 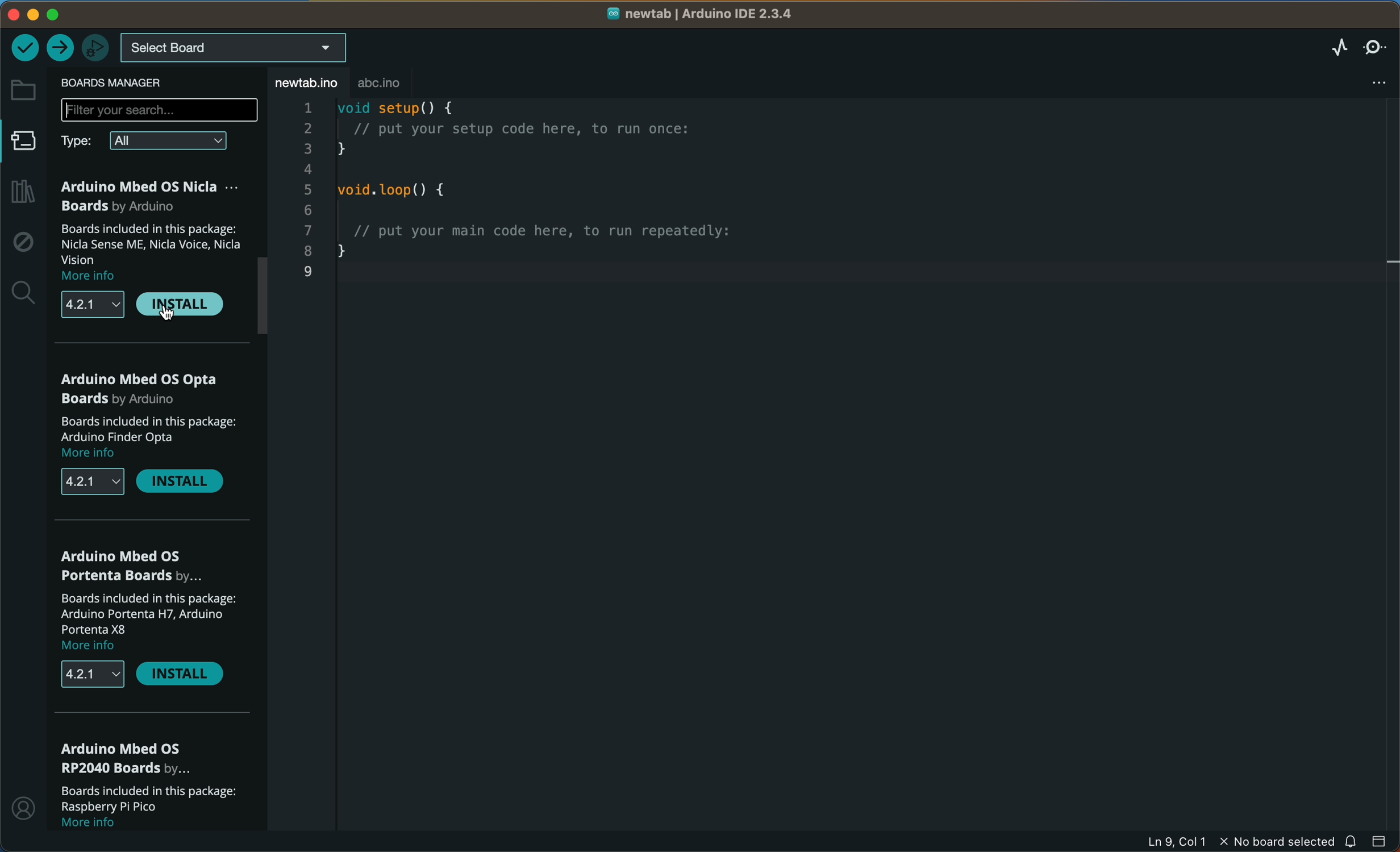 What do you see at coordinates (1336, 47) in the screenshot?
I see `serial plotter` at bounding box center [1336, 47].